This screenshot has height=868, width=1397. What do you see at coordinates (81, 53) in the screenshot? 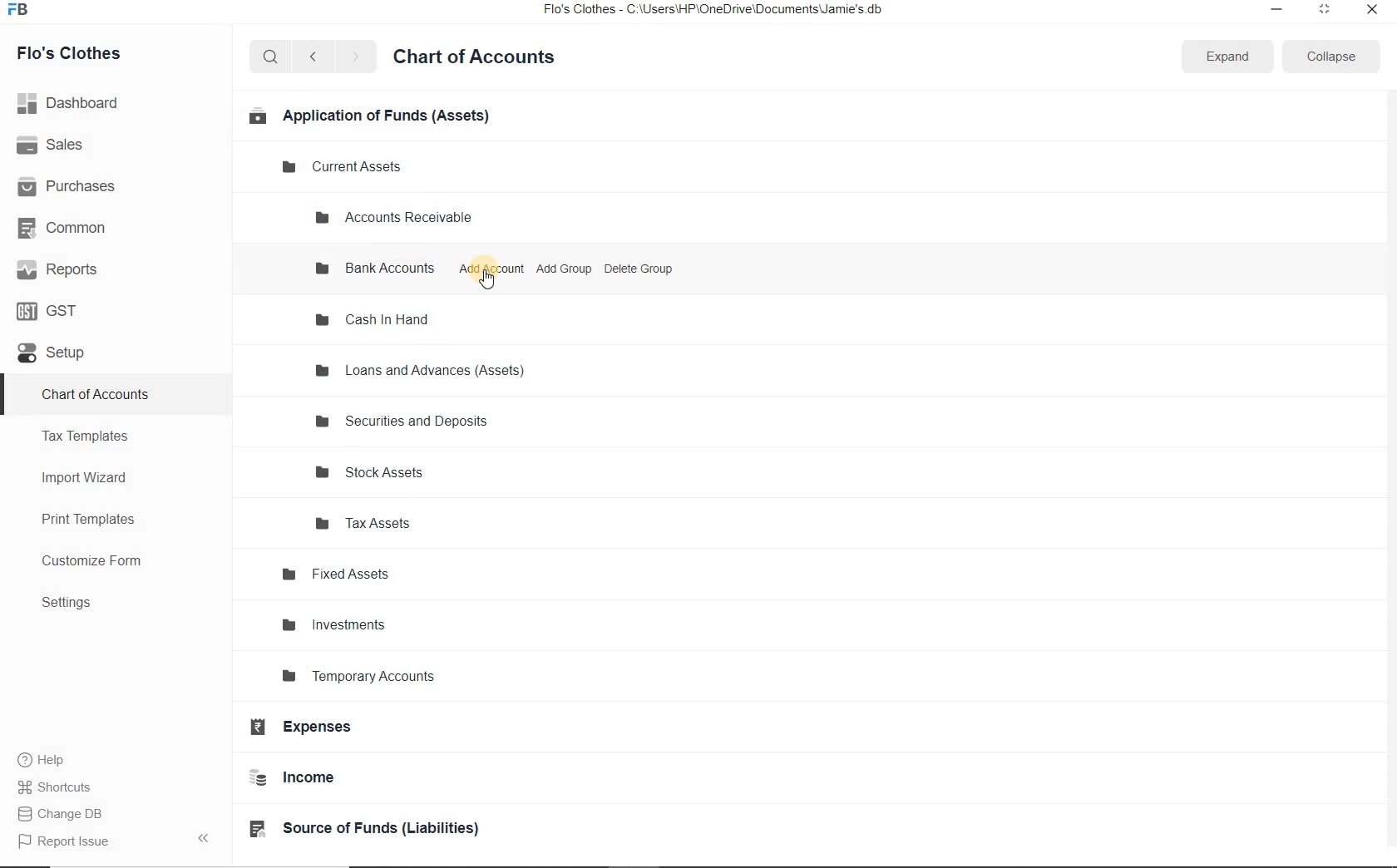
I see `Flo's Clothes` at bounding box center [81, 53].